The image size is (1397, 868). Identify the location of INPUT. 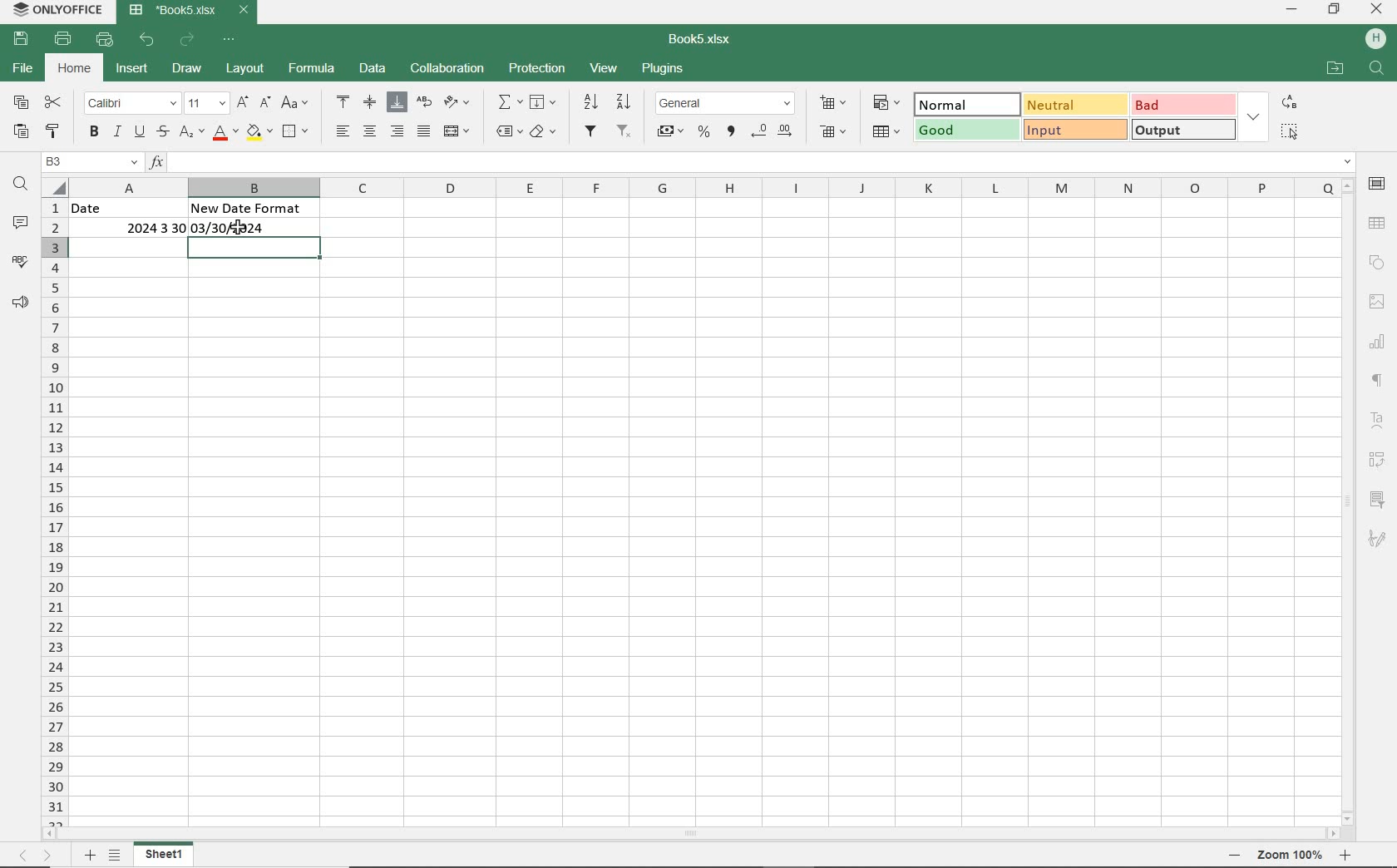
(1074, 130).